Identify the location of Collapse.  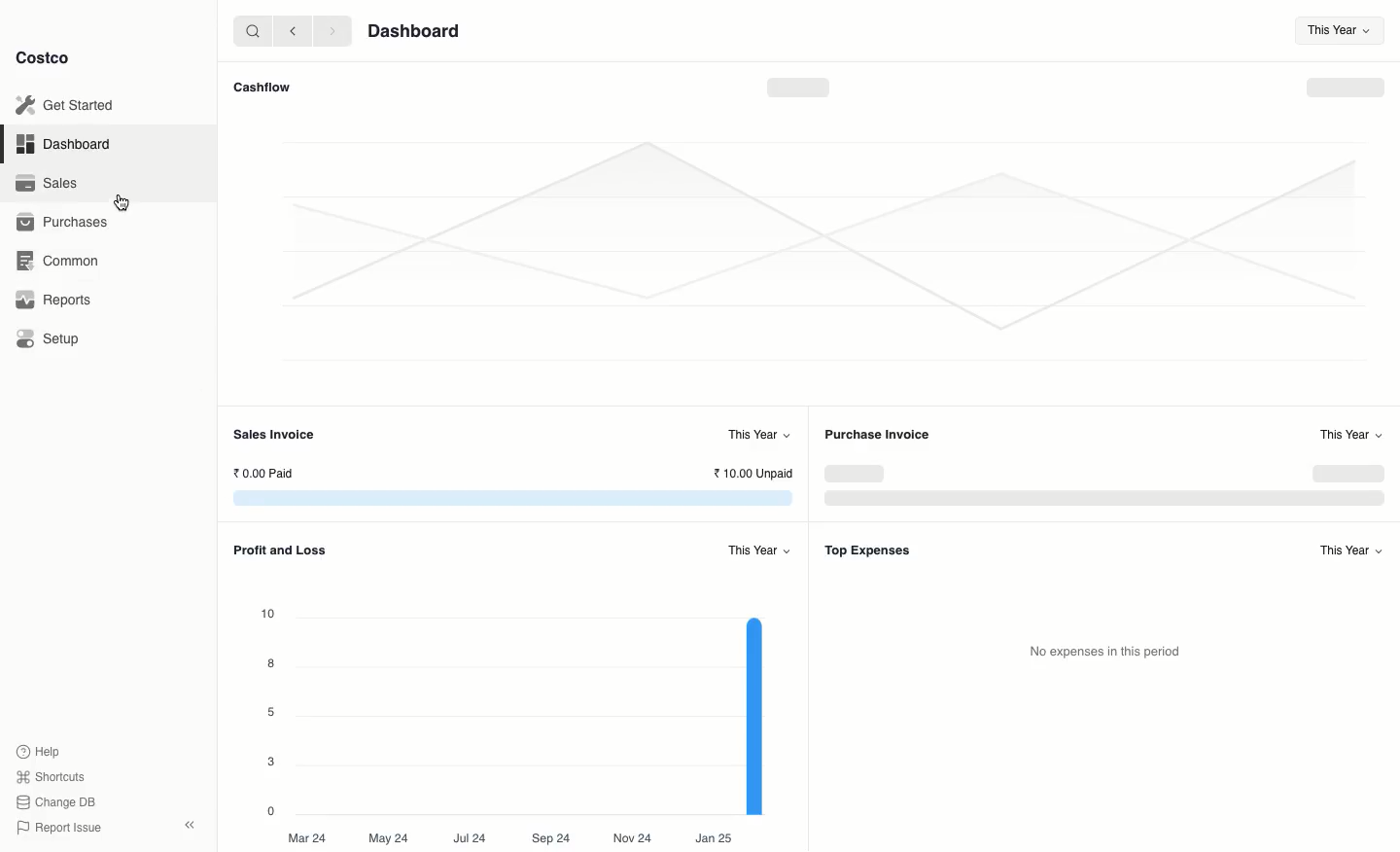
(189, 825).